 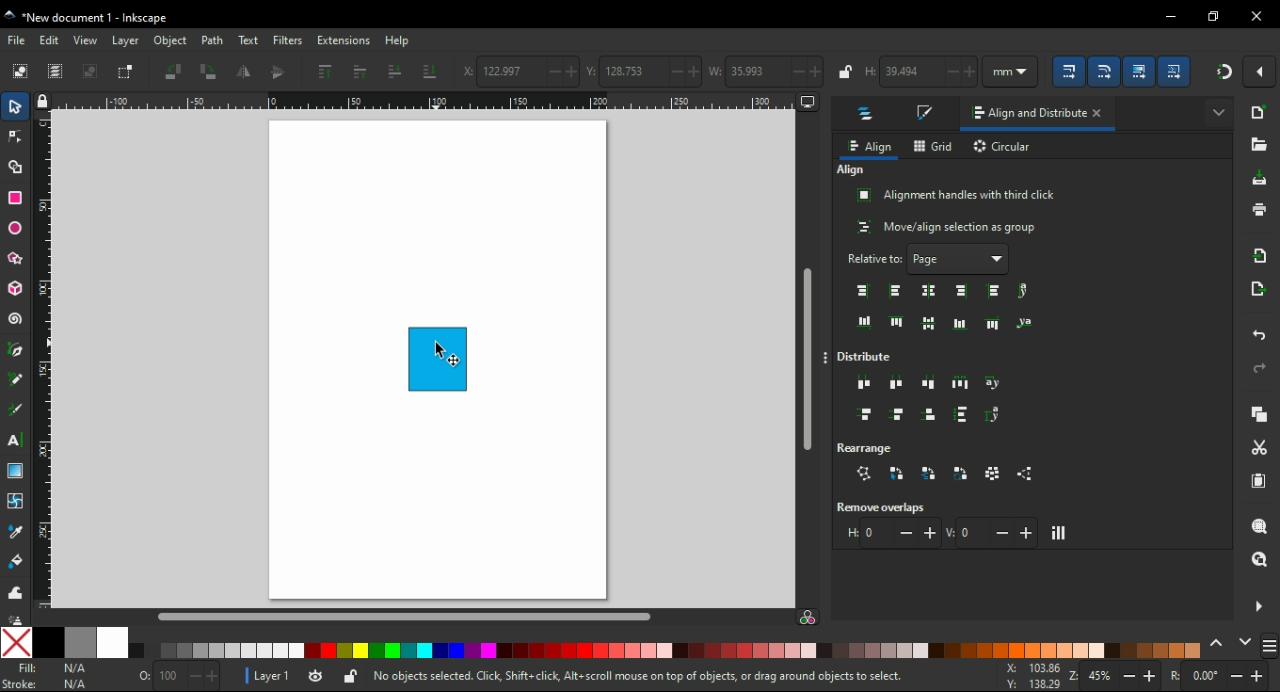 What do you see at coordinates (1220, 674) in the screenshot?
I see `rotation` at bounding box center [1220, 674].